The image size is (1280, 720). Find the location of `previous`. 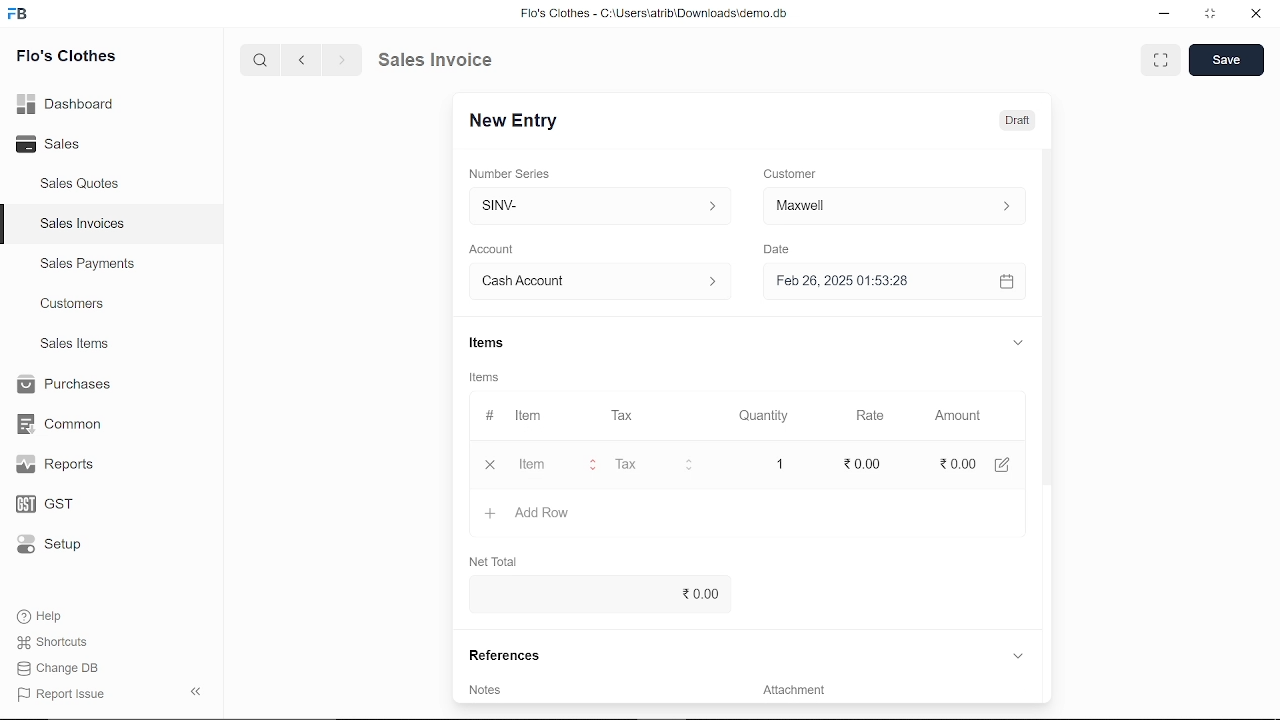

previous is located at coordinates (302, 59).